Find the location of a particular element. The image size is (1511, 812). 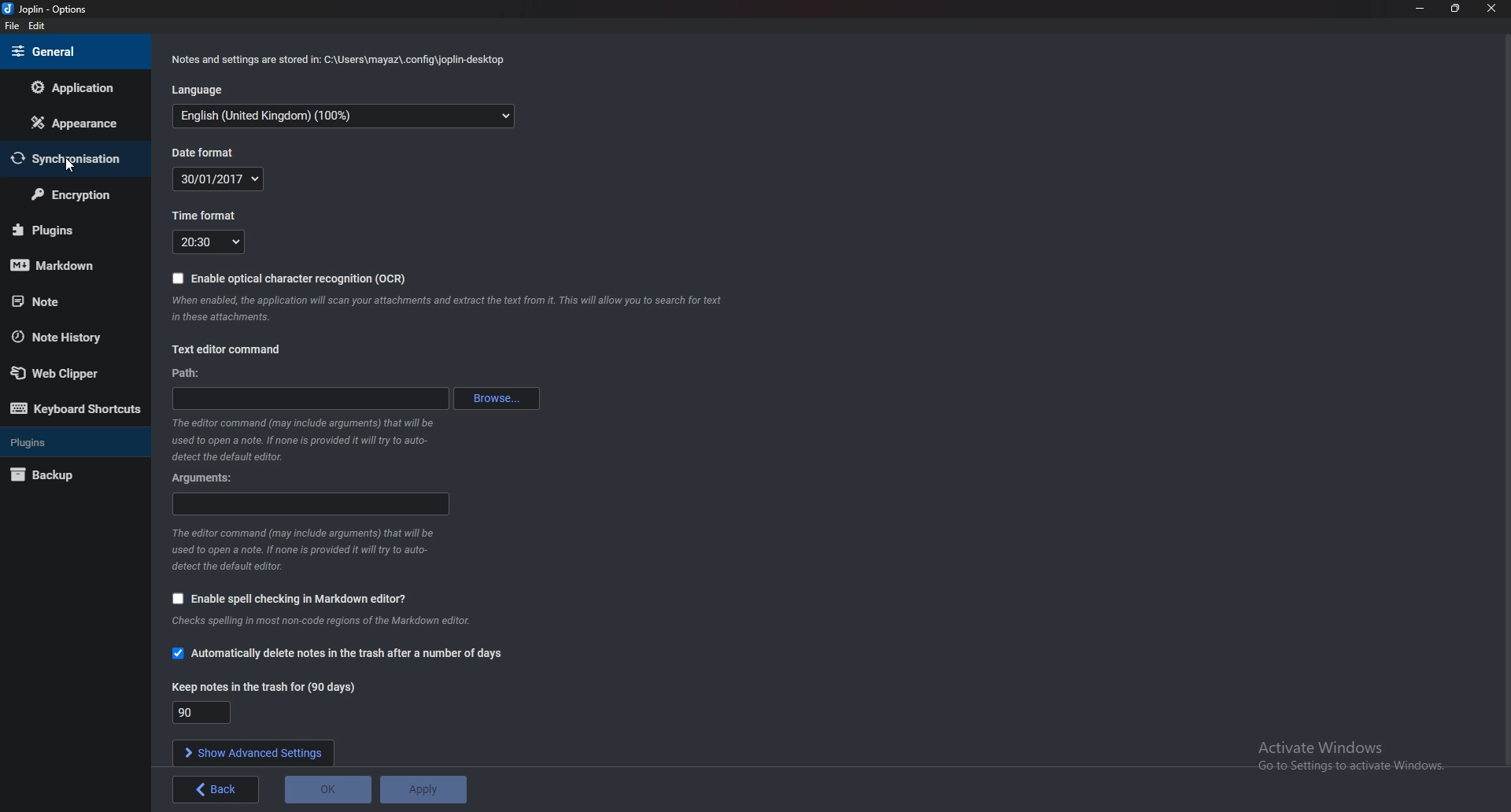

file is located at coordinates (12, 26).